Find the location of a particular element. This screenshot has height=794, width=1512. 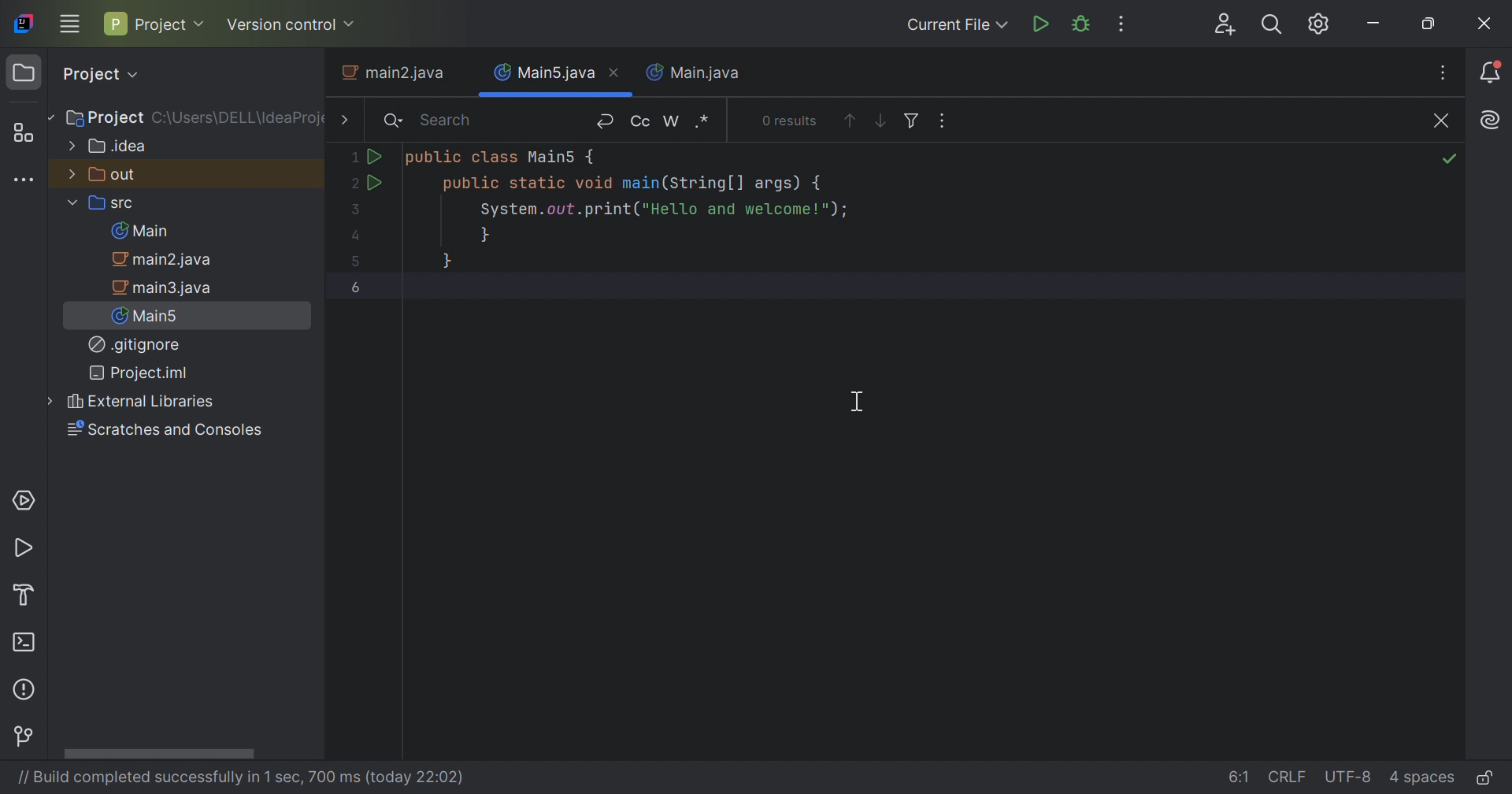

Close is located at coordinates (1486, 26).